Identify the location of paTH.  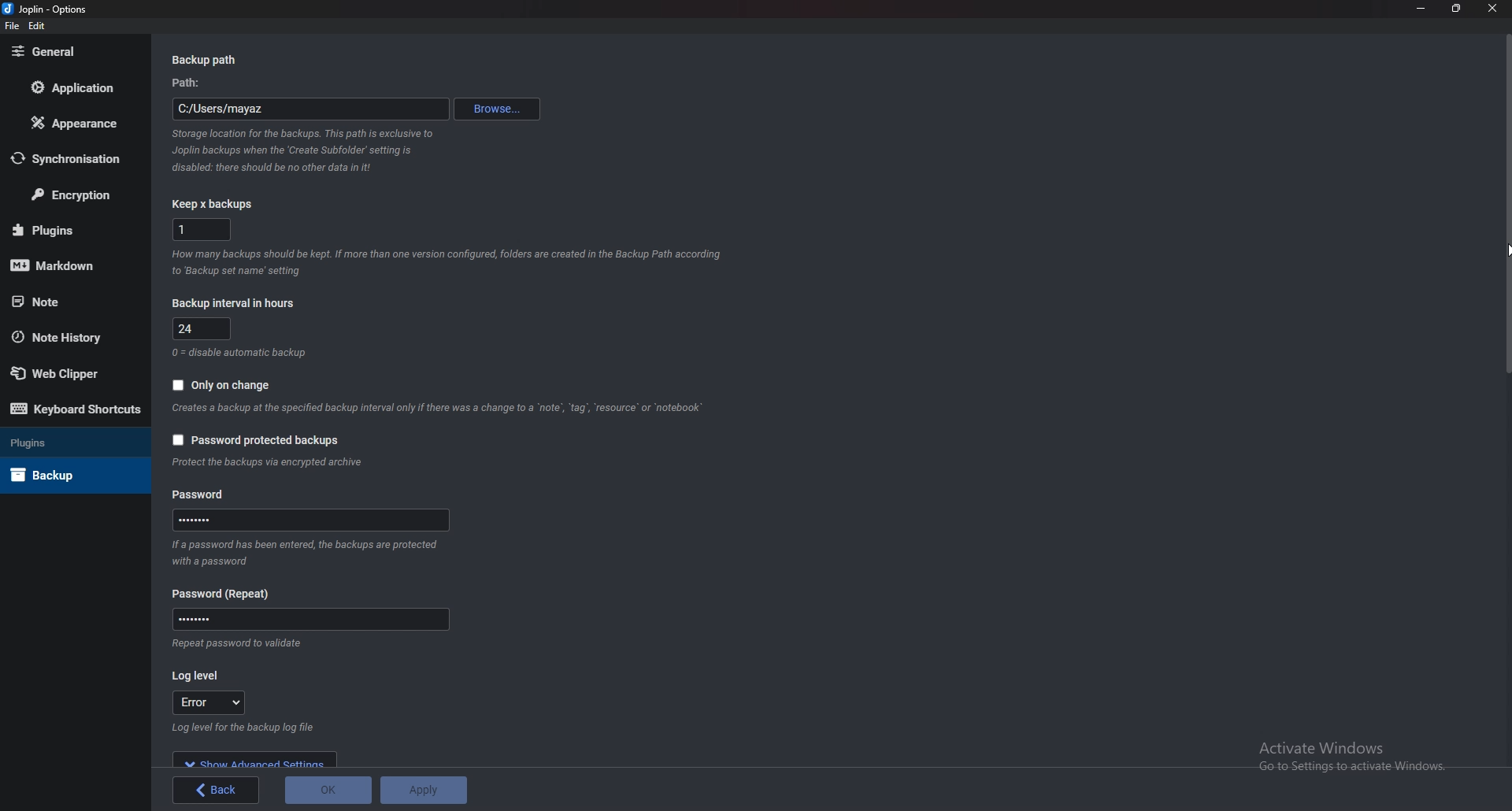
(191, 83).